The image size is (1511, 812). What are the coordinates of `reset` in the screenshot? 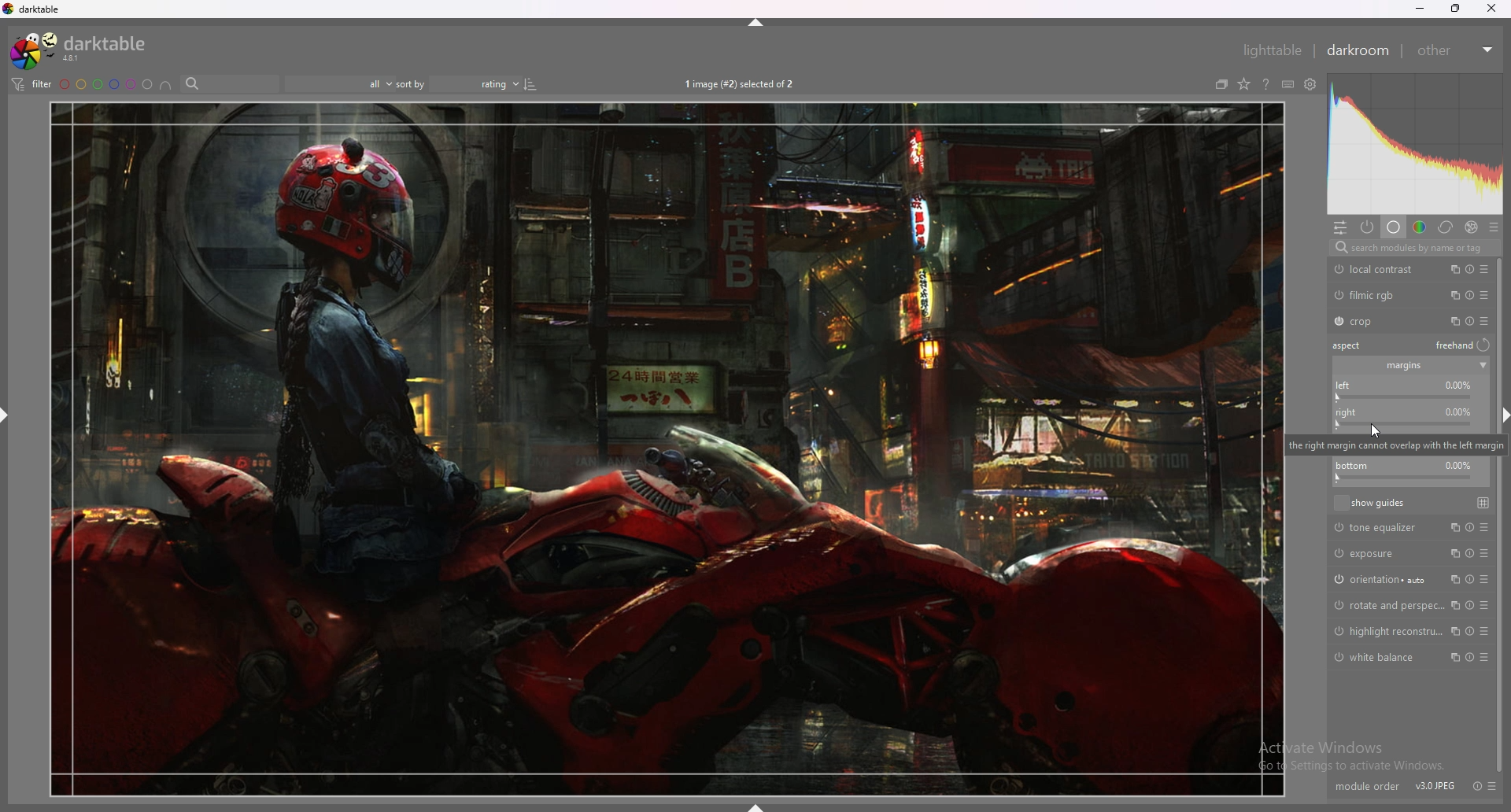 It's located at (1479, 781).